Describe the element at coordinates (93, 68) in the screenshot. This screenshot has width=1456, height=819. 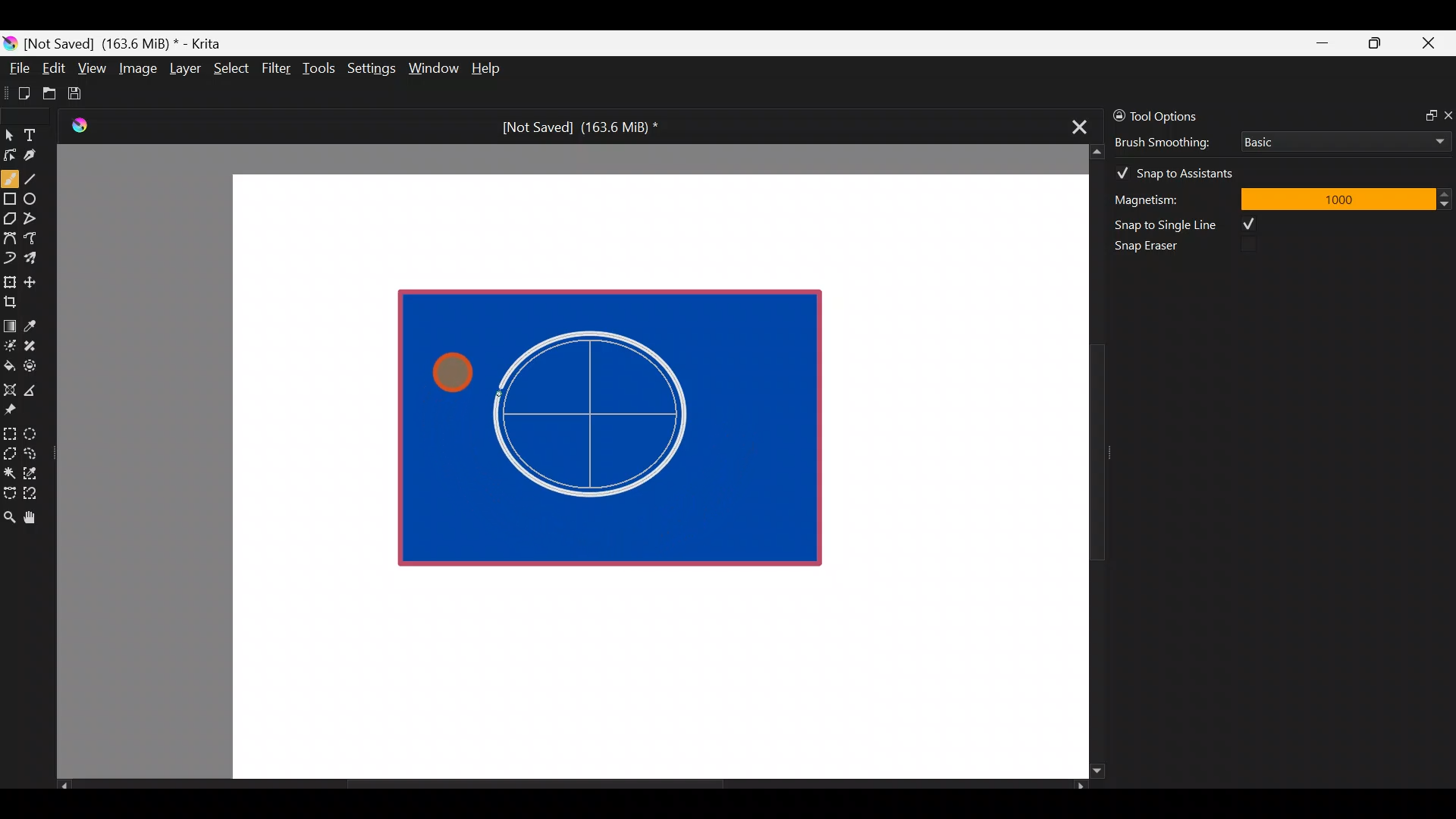
I see `View` at that location.